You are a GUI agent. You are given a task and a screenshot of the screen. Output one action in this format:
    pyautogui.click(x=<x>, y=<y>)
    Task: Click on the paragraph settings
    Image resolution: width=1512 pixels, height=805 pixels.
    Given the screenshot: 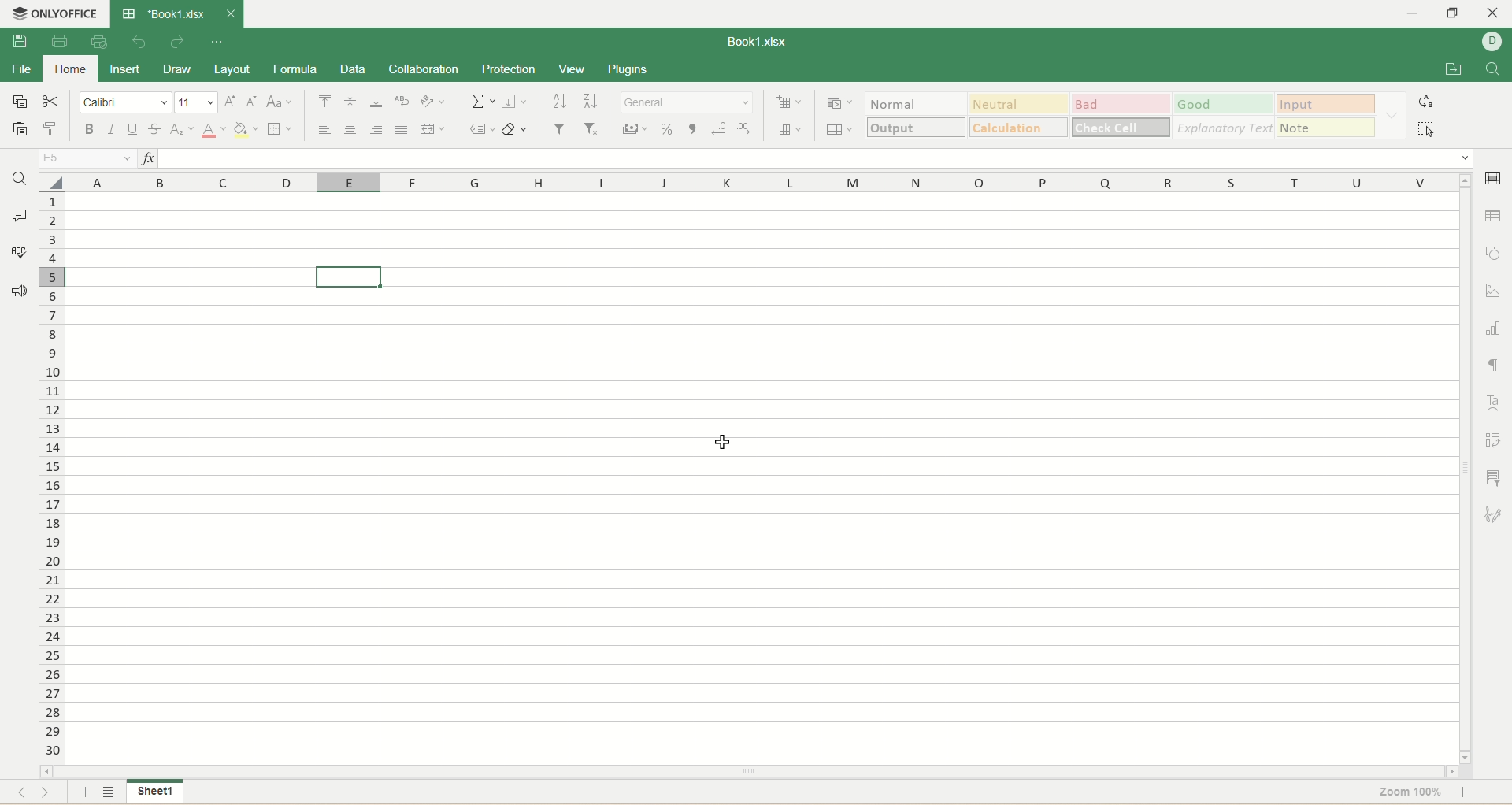 What is the action you would take?
    pyautogui.click(x=1495, y=367)
    